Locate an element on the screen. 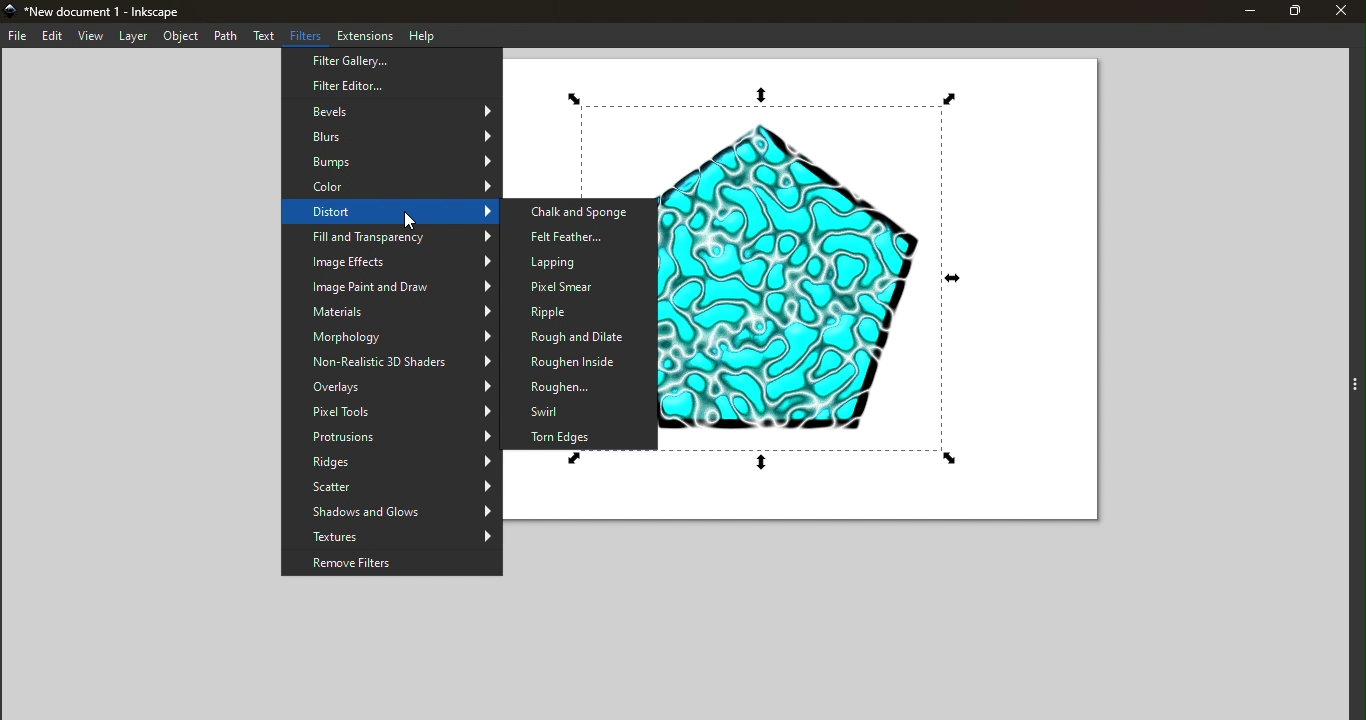 This screenshot has height=720, width=1366. Distort is located at coordinates (388, 213).